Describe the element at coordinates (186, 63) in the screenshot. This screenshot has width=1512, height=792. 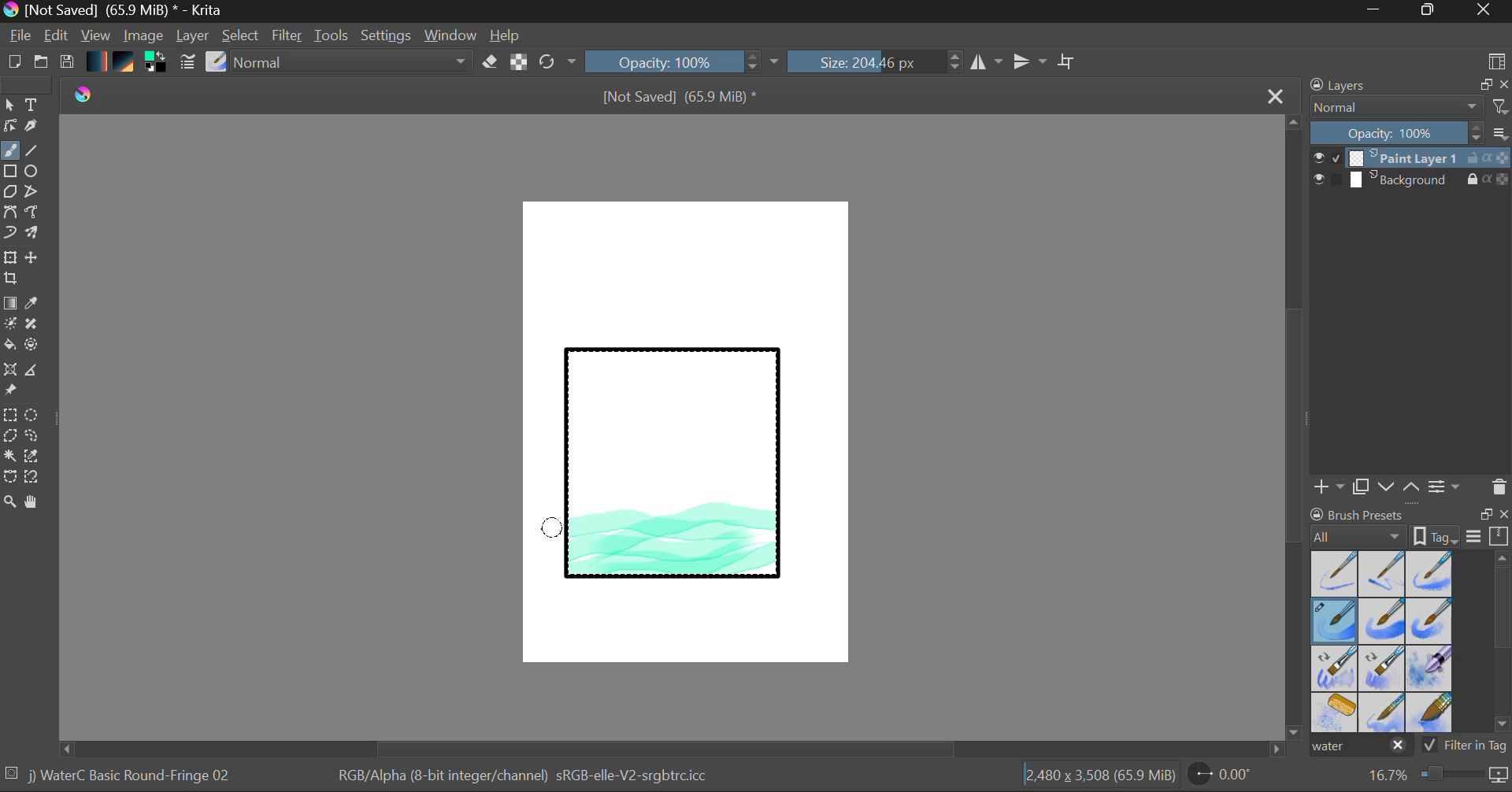
I see `Brush Settings` at that location.